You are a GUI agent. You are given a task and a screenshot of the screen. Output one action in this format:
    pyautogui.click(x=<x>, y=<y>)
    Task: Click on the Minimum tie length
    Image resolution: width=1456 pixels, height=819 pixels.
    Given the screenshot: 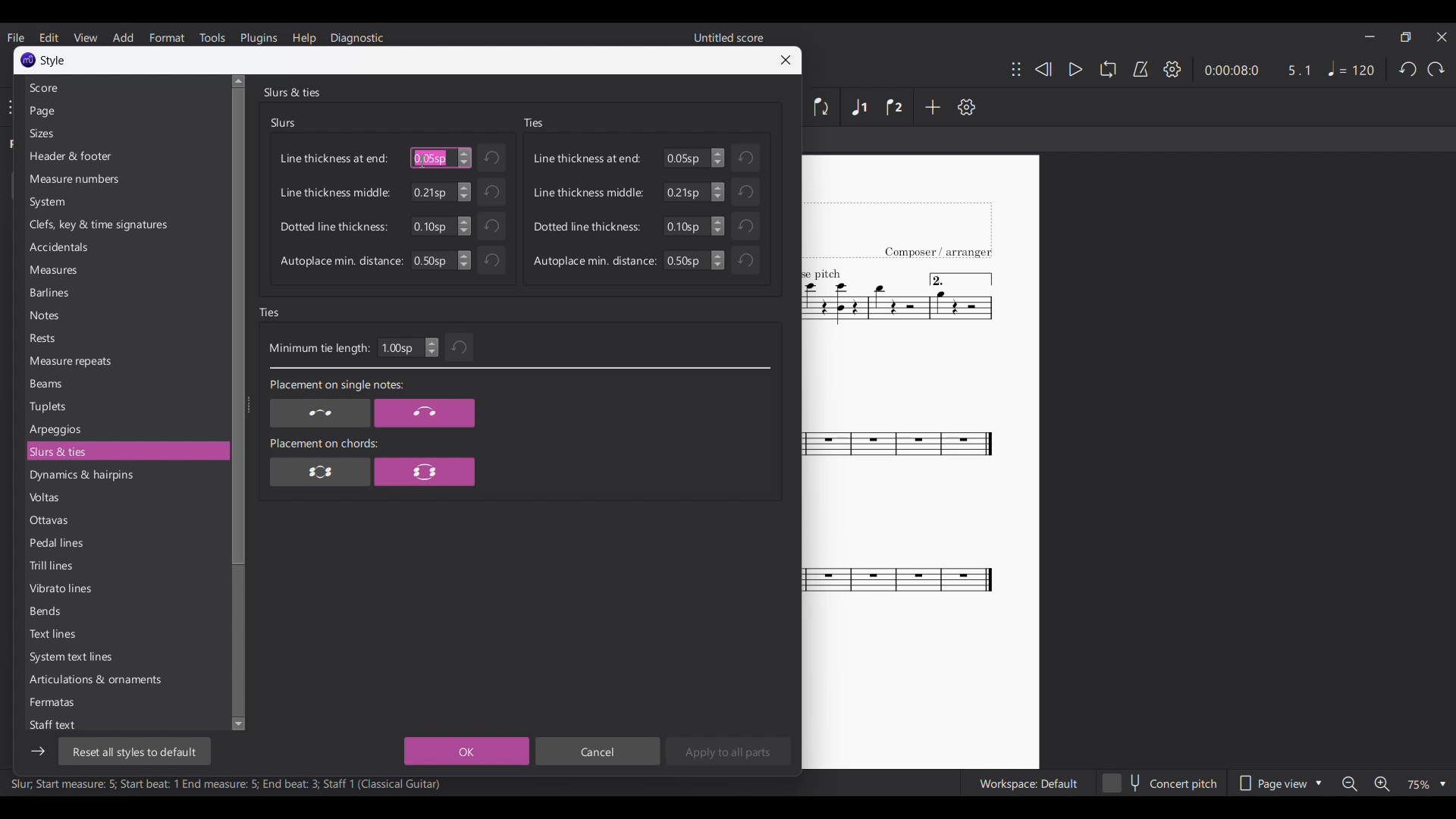 What is the action you would take?
    pyautogui.click(x=318, y=349)
    